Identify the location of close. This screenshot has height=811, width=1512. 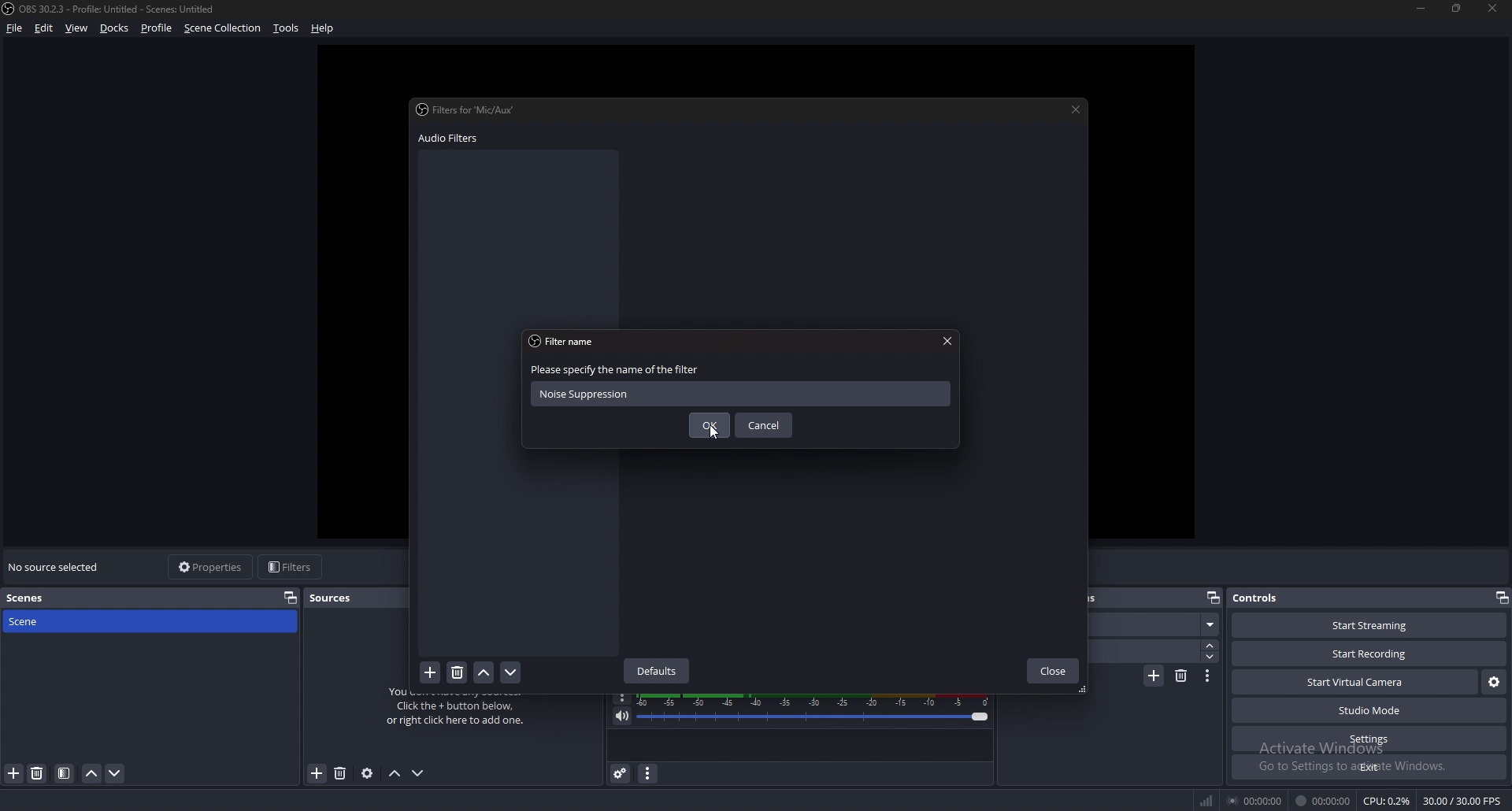
(947, 340).